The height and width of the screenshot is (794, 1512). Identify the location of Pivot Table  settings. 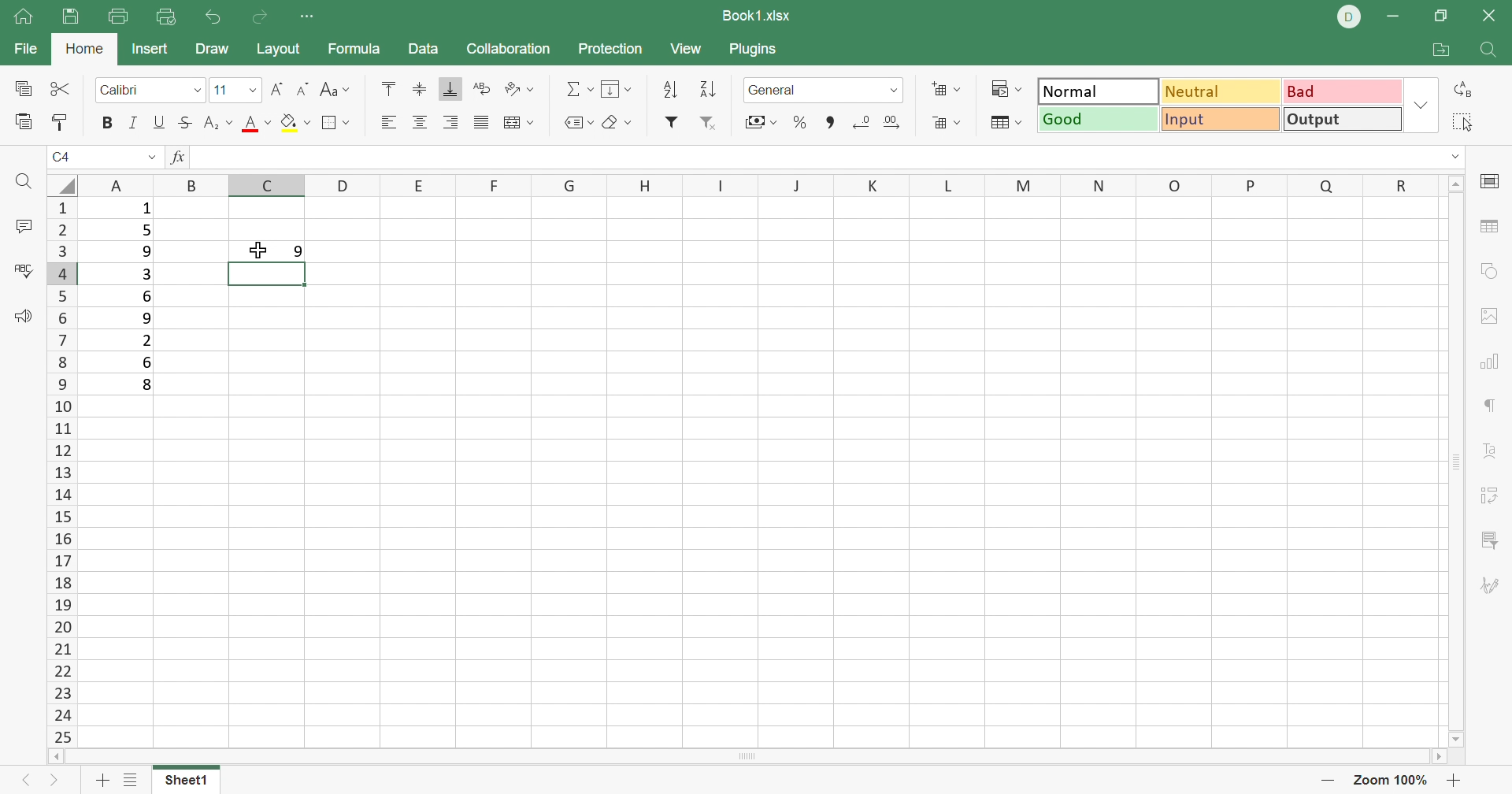
(1488, 493).